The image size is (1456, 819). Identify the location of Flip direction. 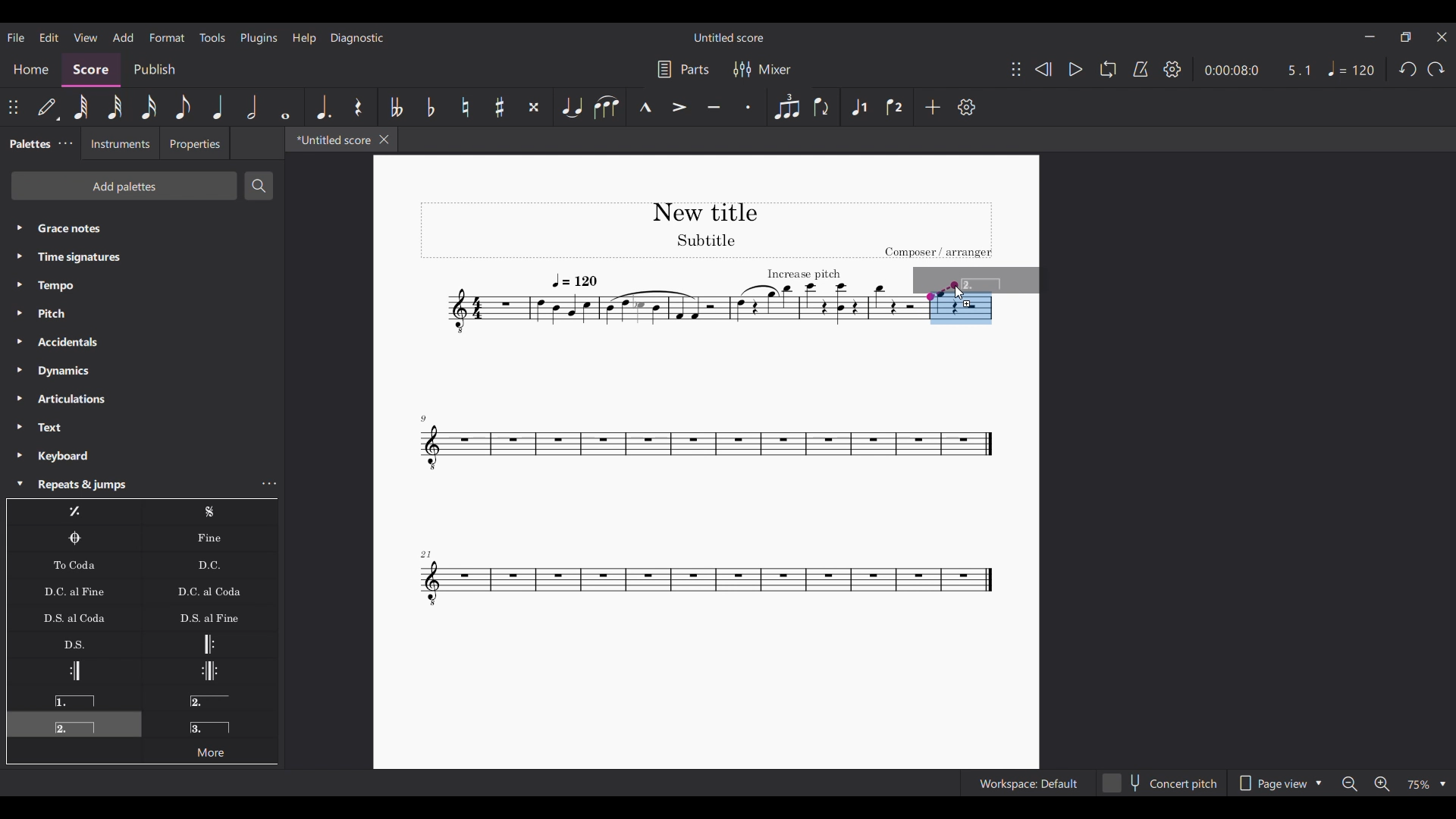
(823, 107).